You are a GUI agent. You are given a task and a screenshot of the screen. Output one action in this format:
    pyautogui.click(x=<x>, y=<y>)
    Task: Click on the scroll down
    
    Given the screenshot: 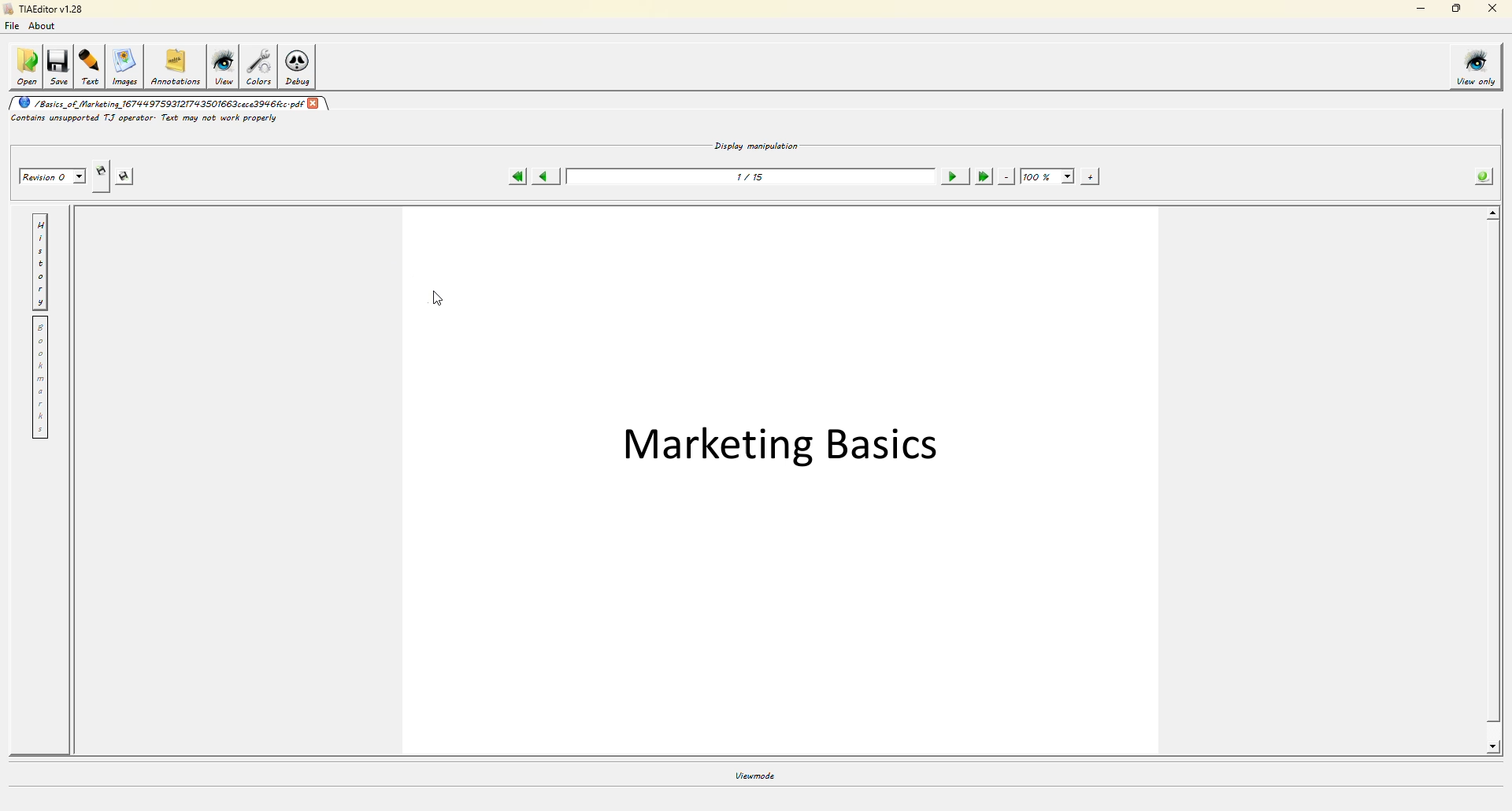 What is the action you would take?
    pyautogui.click(x=1495, y=747)
    